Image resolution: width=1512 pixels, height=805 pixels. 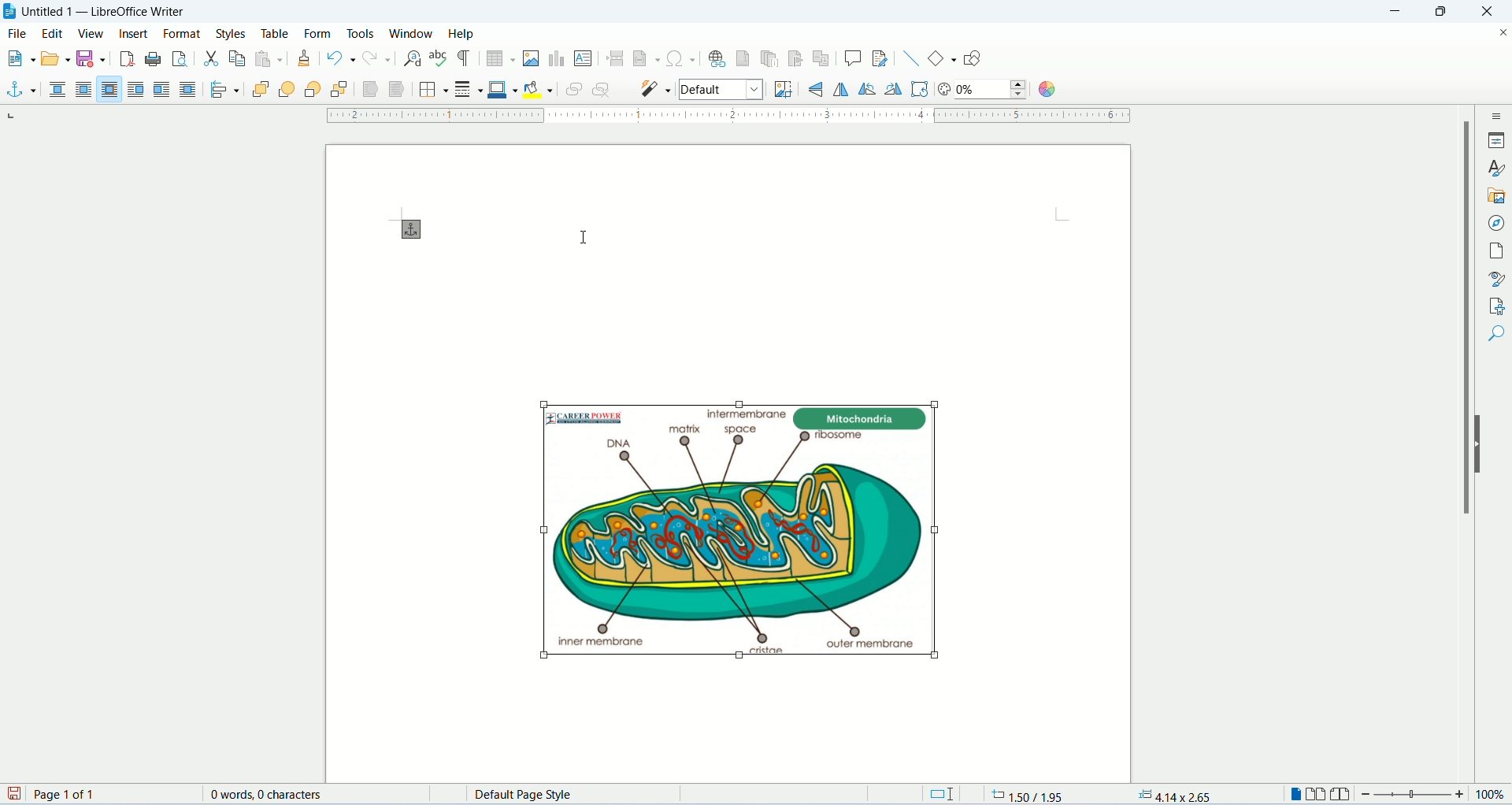 I want to click on border color, so click(x=502, y=88).